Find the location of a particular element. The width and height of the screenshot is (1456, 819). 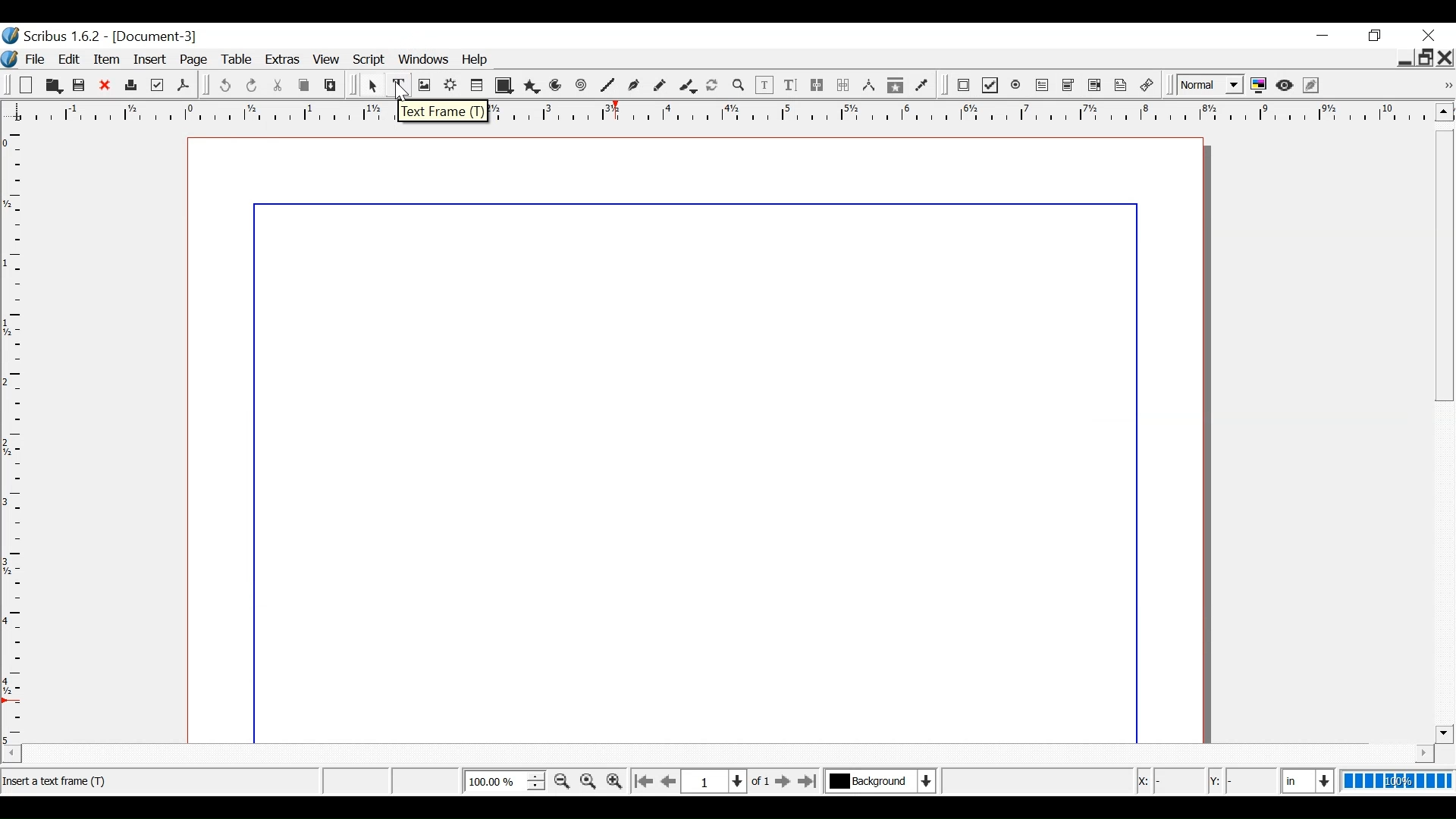

Paste is located at coordinates (333, 84).